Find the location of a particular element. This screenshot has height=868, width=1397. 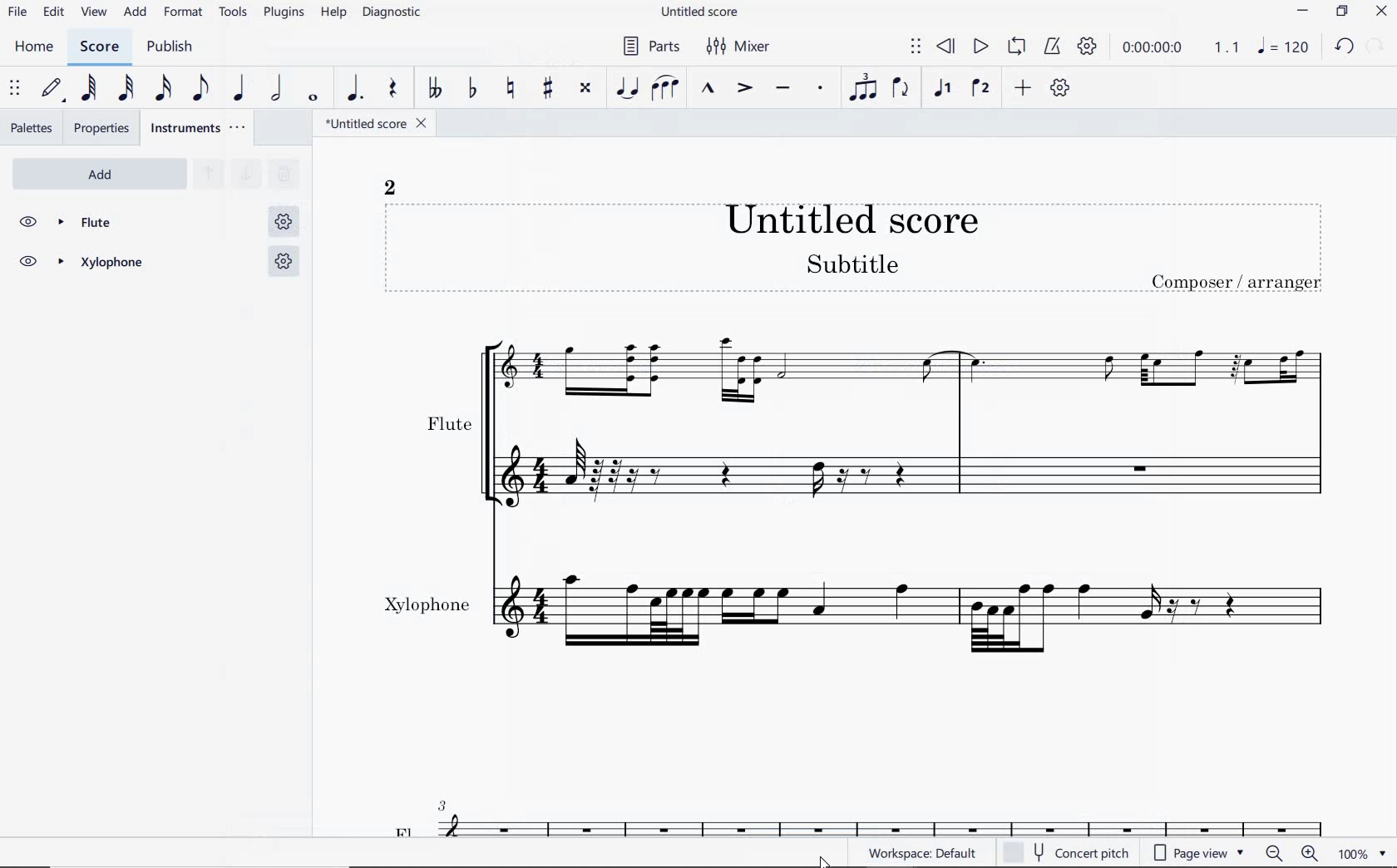

MOVE SELECTED INSTRUMENT DOWN is located at coordinates (244, 175).